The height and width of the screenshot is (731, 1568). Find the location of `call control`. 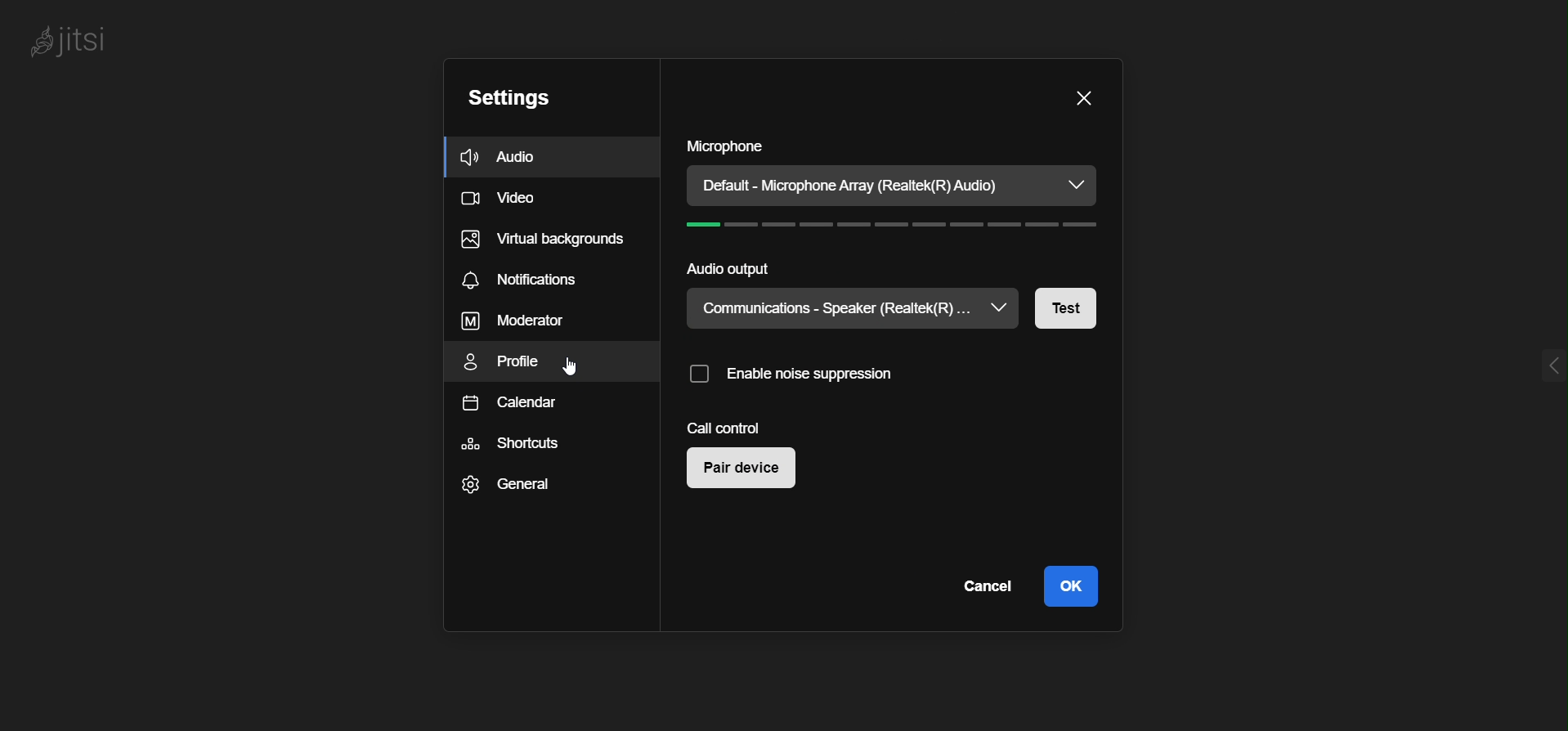

call control is located at coordinates (725, 427).